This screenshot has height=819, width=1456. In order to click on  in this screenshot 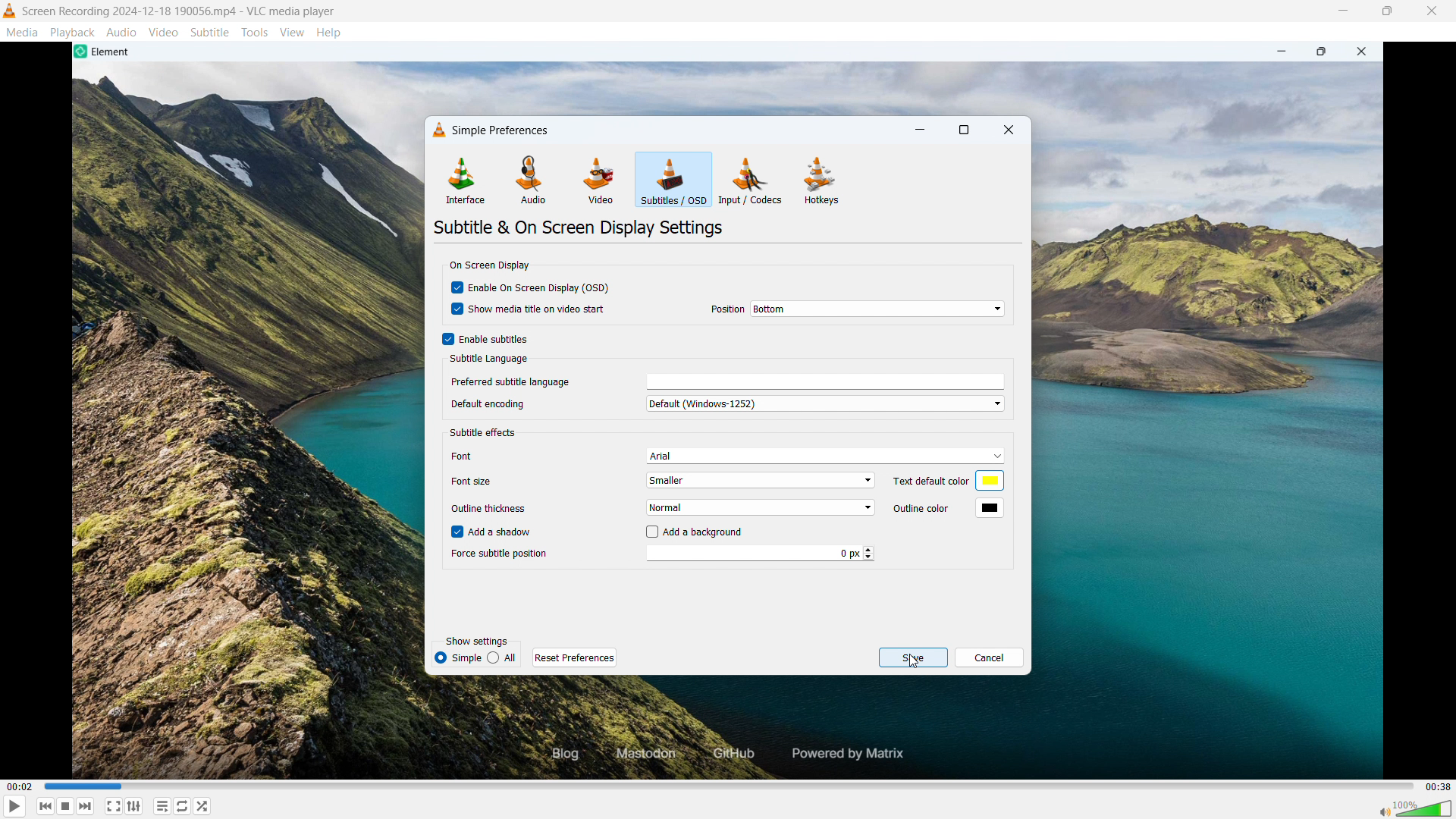, I will do `click(491, 403)`.